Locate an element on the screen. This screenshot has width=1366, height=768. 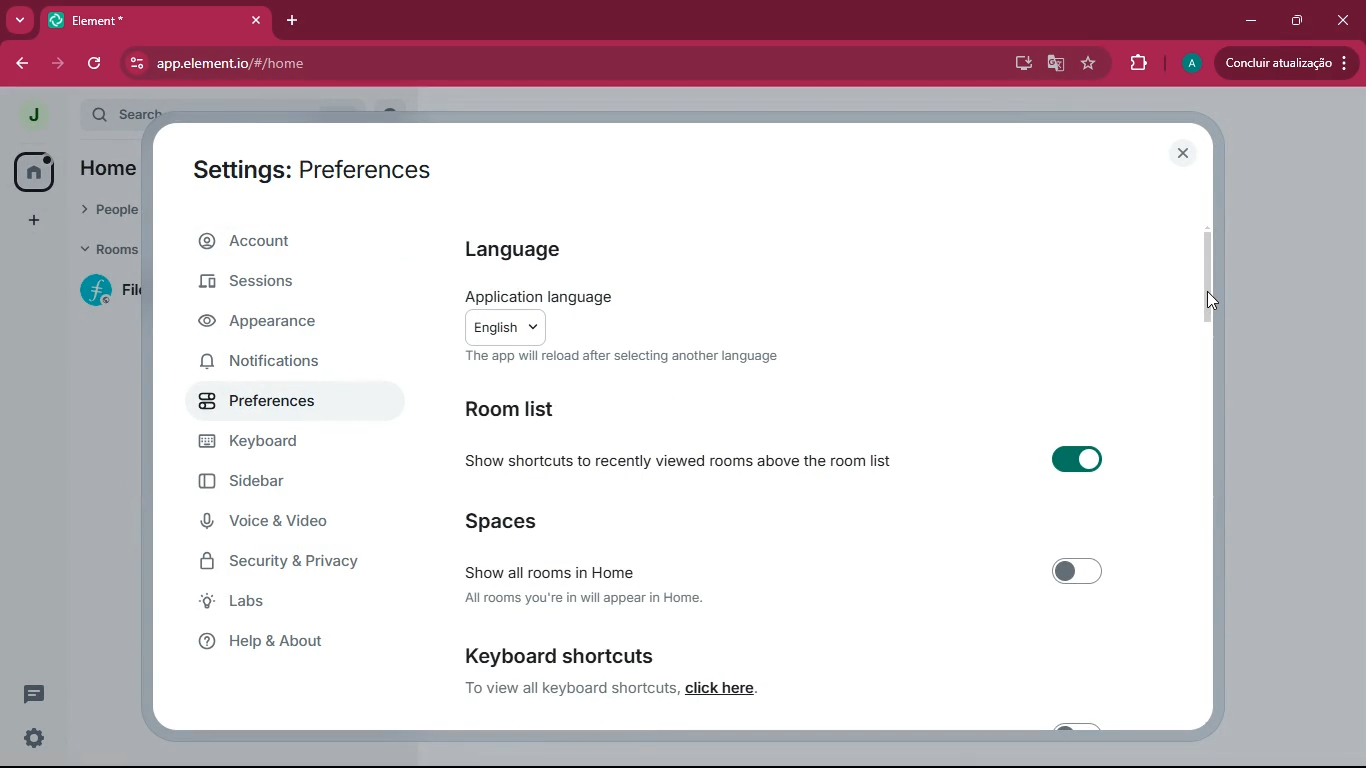
quick settings is located at coordinates (34, 738).